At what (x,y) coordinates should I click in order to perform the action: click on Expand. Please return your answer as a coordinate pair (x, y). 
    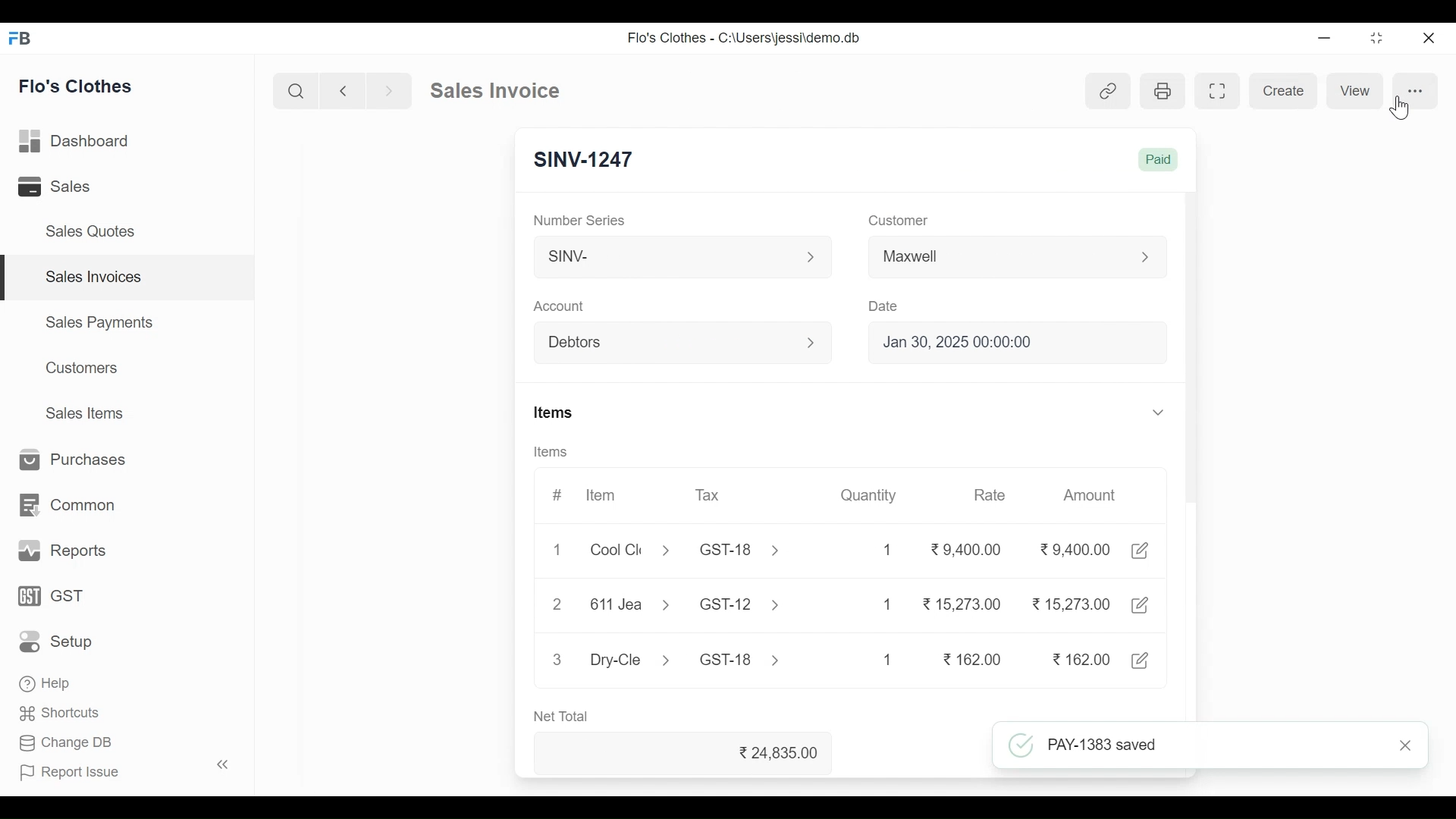
    Looking at the image, I should click on (1147, 257).